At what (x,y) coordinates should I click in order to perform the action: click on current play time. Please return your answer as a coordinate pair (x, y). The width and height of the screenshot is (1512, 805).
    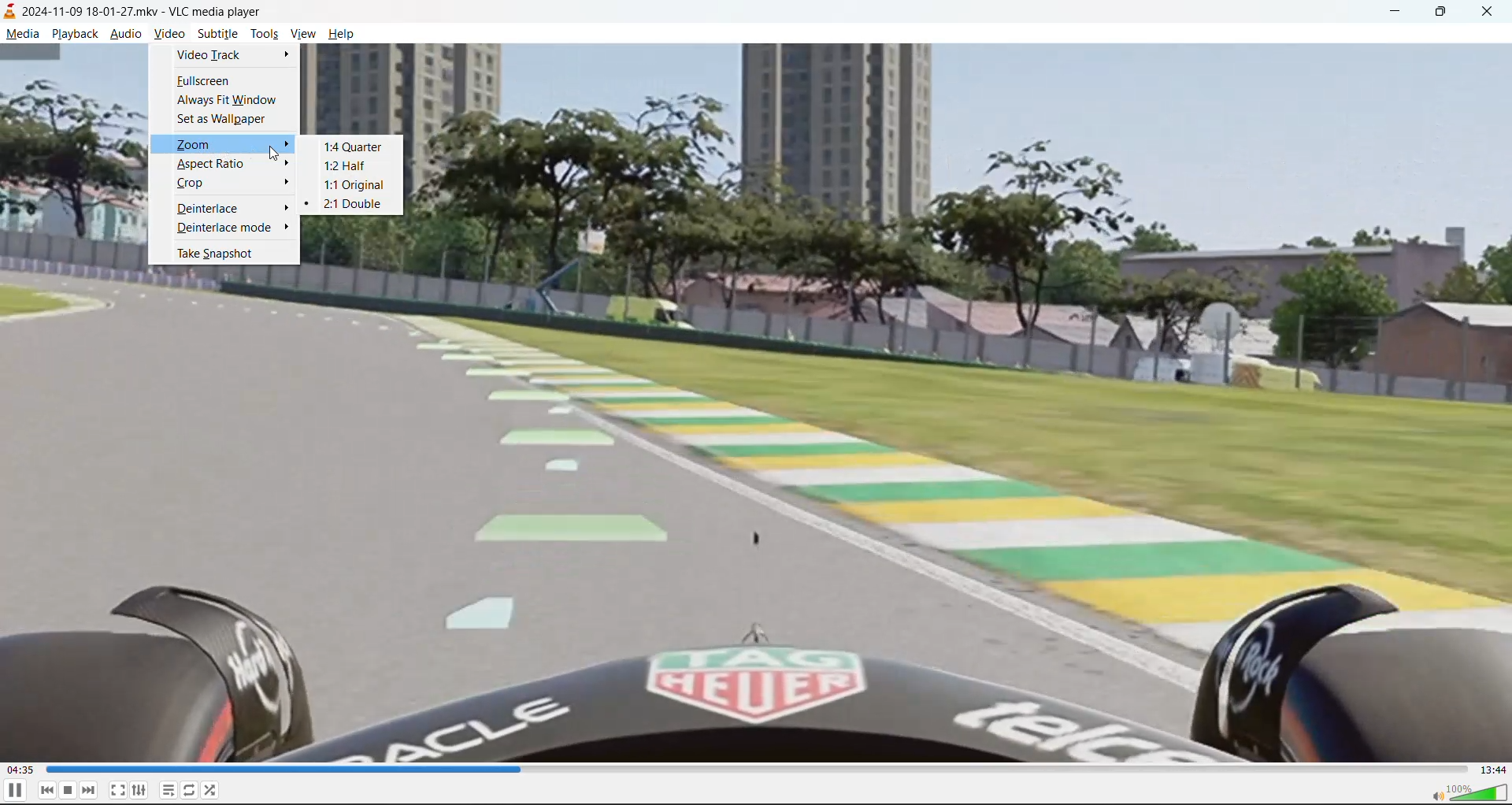
    Looking at the image, I should click on (21, 769).